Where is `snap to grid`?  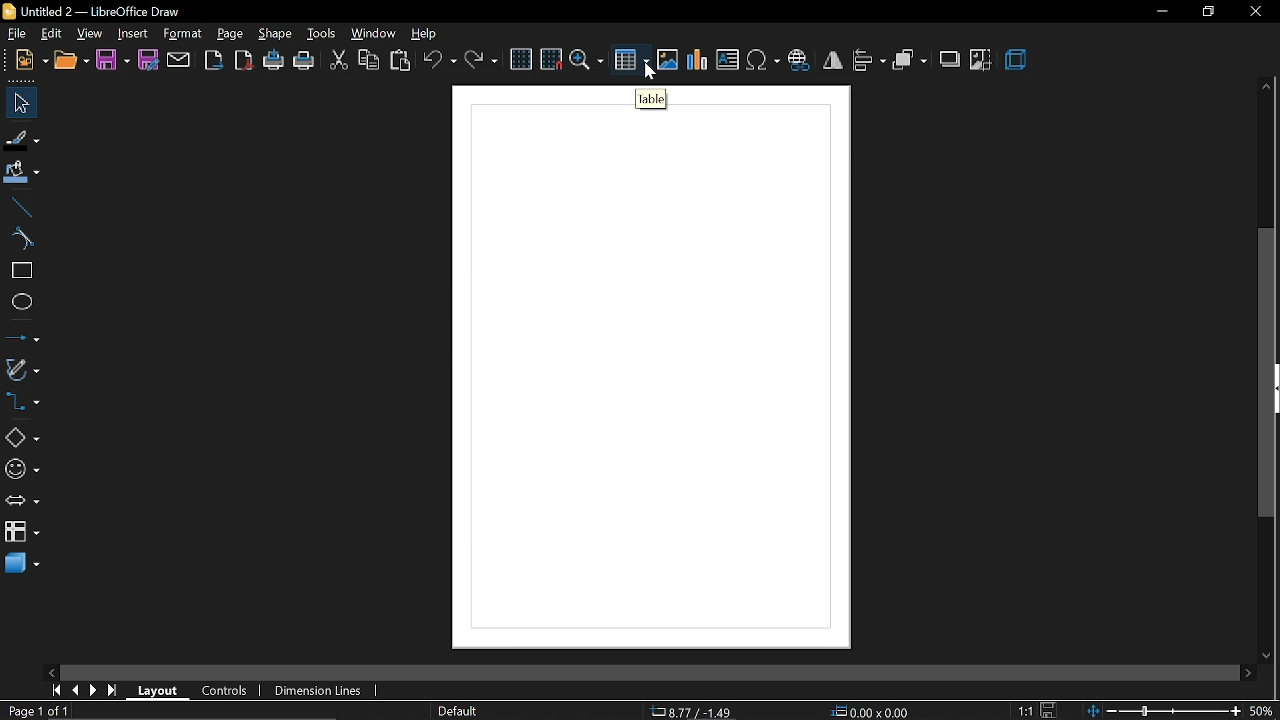
snap to grid is located at coordinates (552, 59).